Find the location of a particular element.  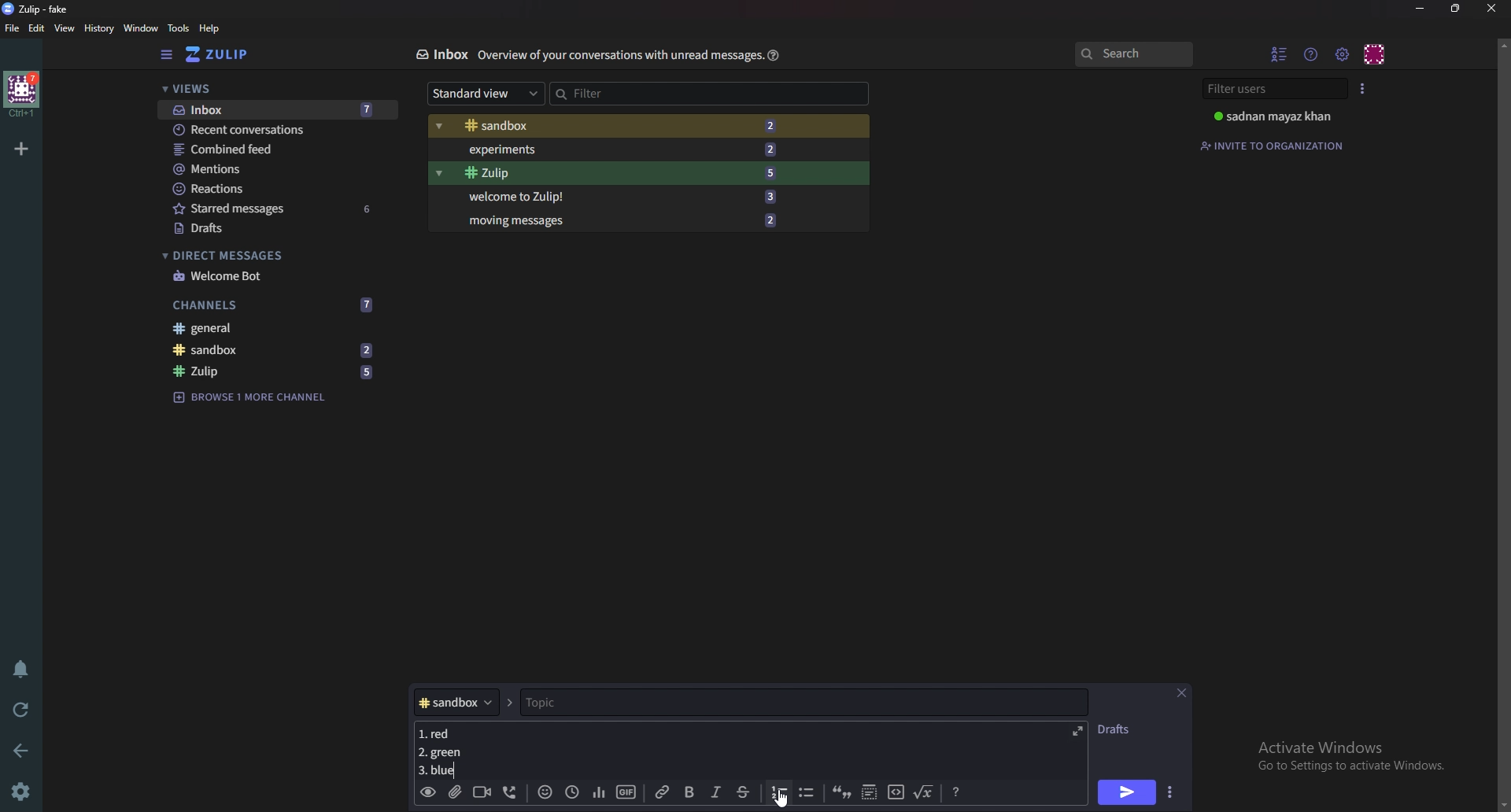

Emoji is located at coordinates (542, 793).